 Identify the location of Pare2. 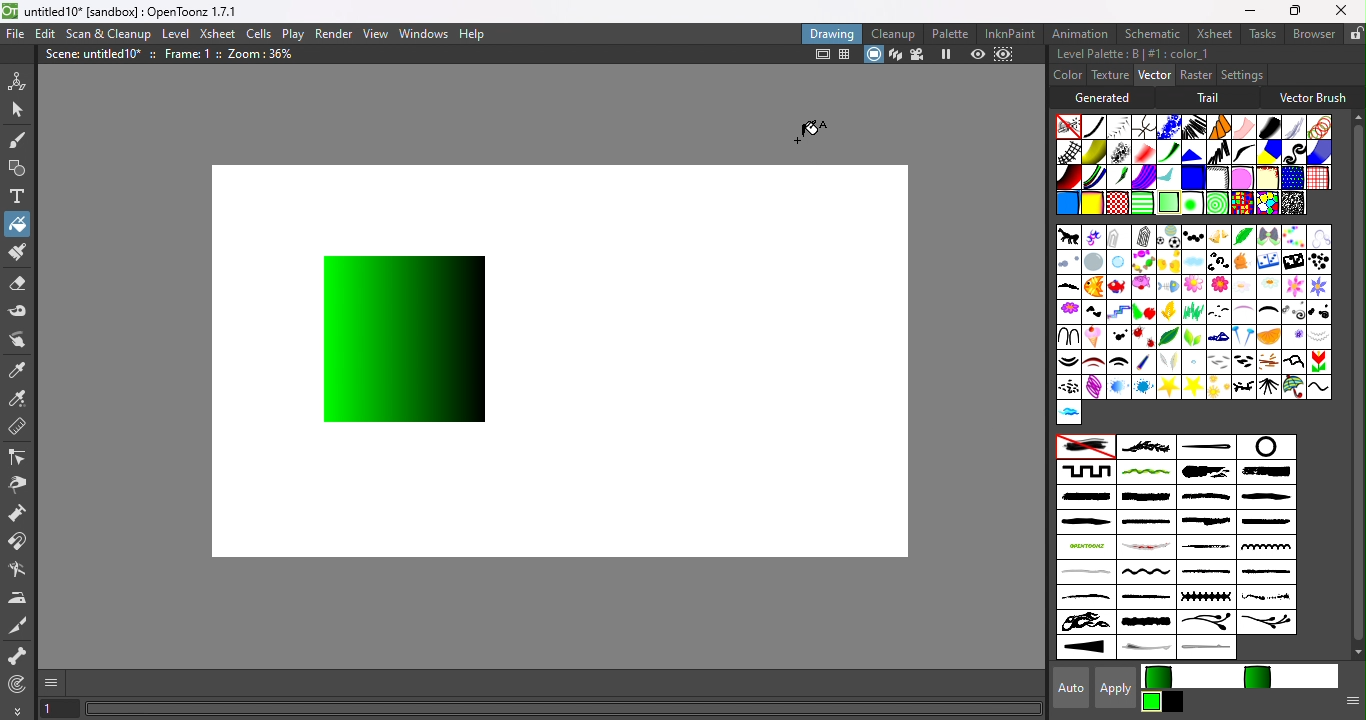
(1117, 361).